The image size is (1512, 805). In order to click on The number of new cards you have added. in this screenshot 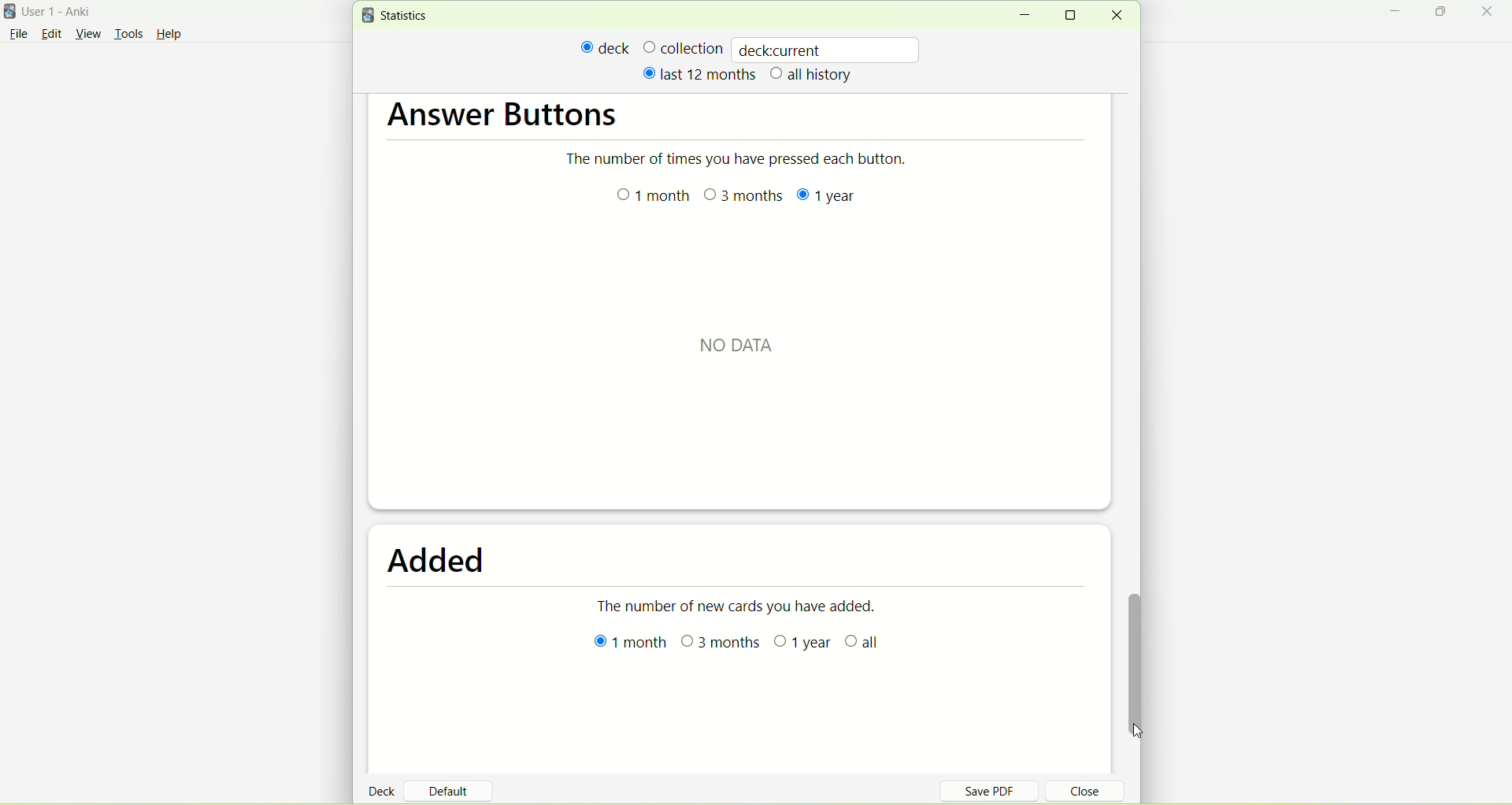, I will do `click(743, 604)`.